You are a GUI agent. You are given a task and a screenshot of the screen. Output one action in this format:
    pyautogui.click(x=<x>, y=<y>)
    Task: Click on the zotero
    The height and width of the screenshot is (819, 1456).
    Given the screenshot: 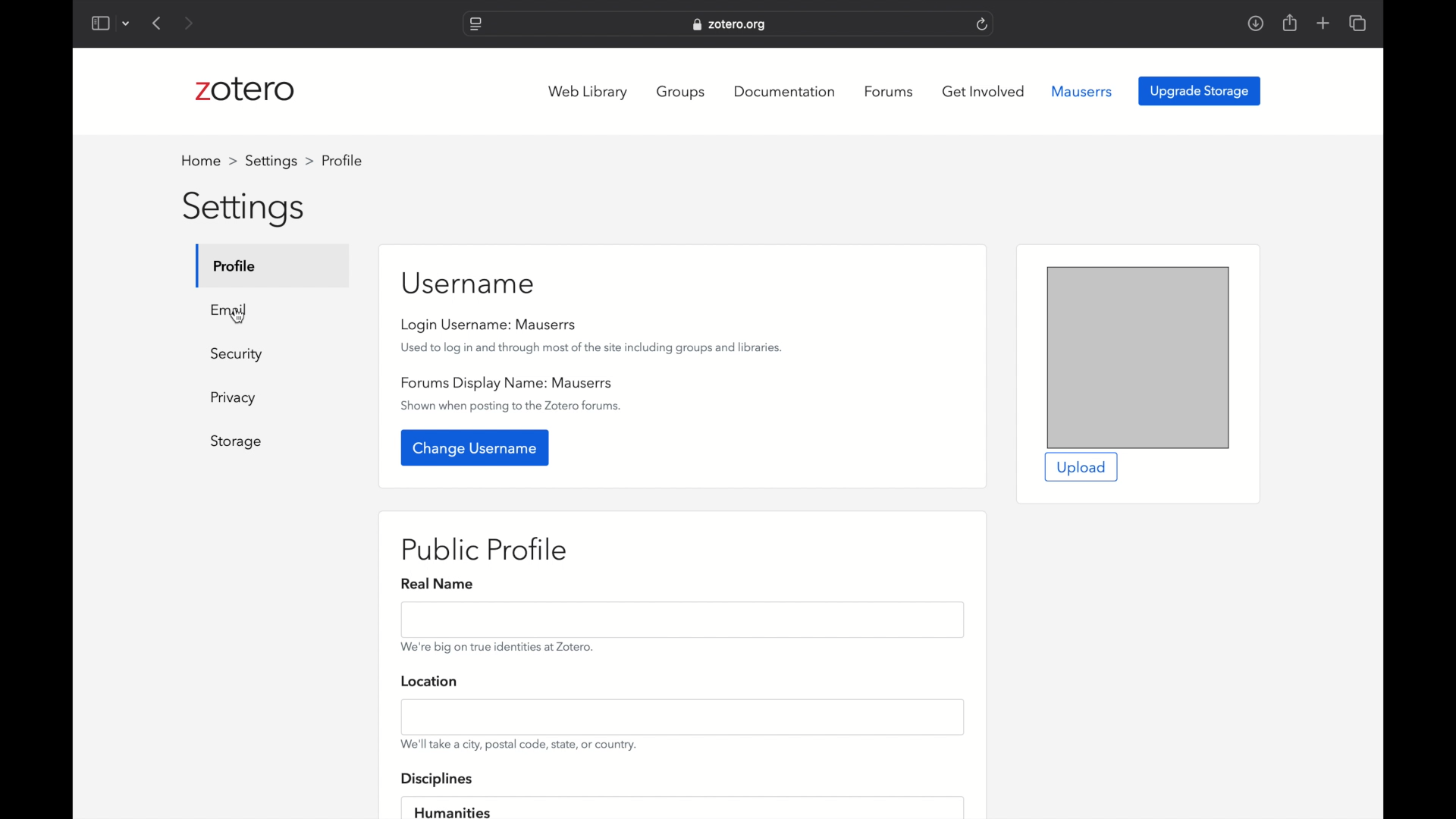 What is the action you would take?
    pyautogui.click(x=246, y=89)
    